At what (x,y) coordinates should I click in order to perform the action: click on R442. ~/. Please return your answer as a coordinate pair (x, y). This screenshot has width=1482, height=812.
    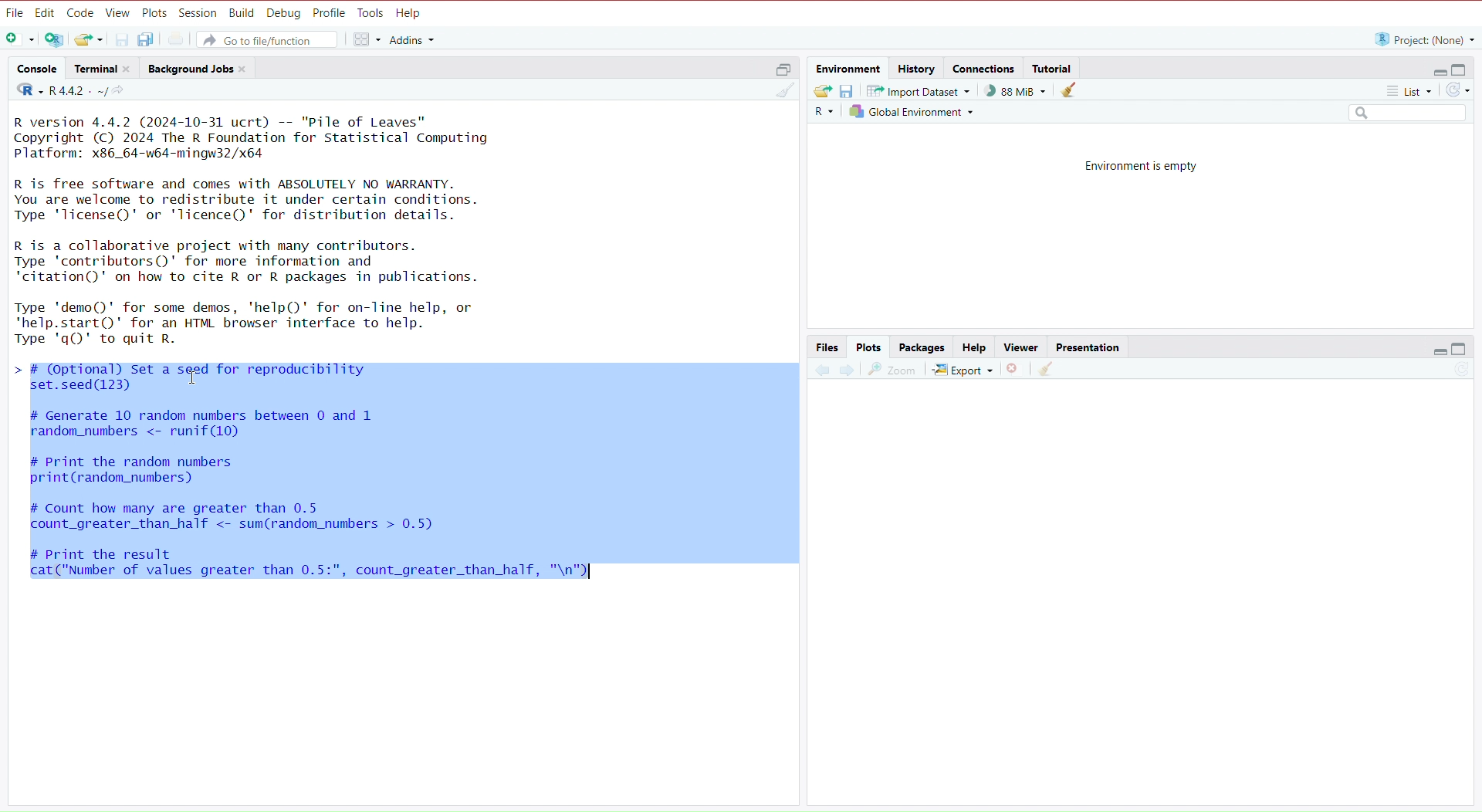
    Looking at the image, I should click on (69, 90).